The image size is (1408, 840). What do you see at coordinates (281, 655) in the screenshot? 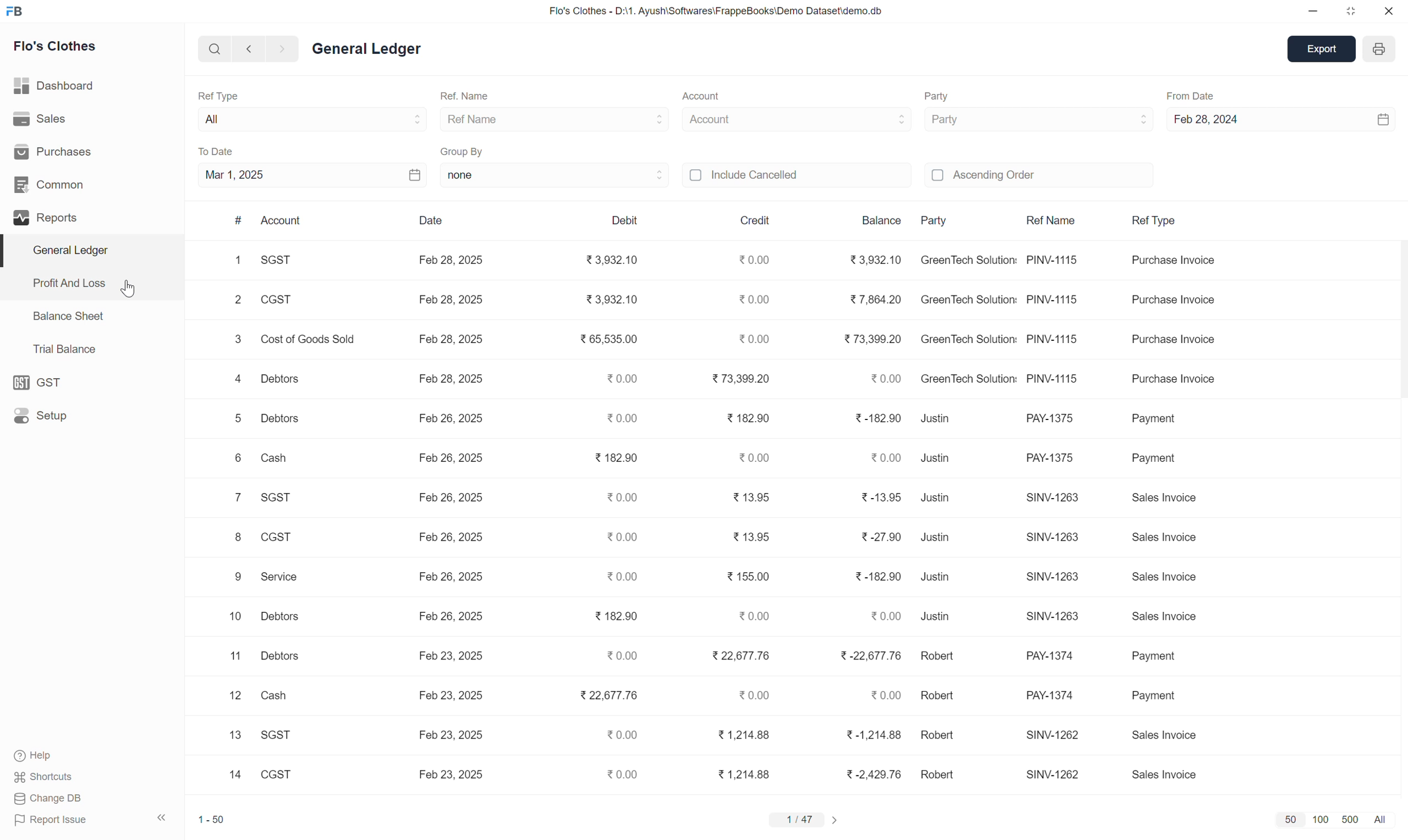
I see `Debtors` at bounding box center [281, 655].